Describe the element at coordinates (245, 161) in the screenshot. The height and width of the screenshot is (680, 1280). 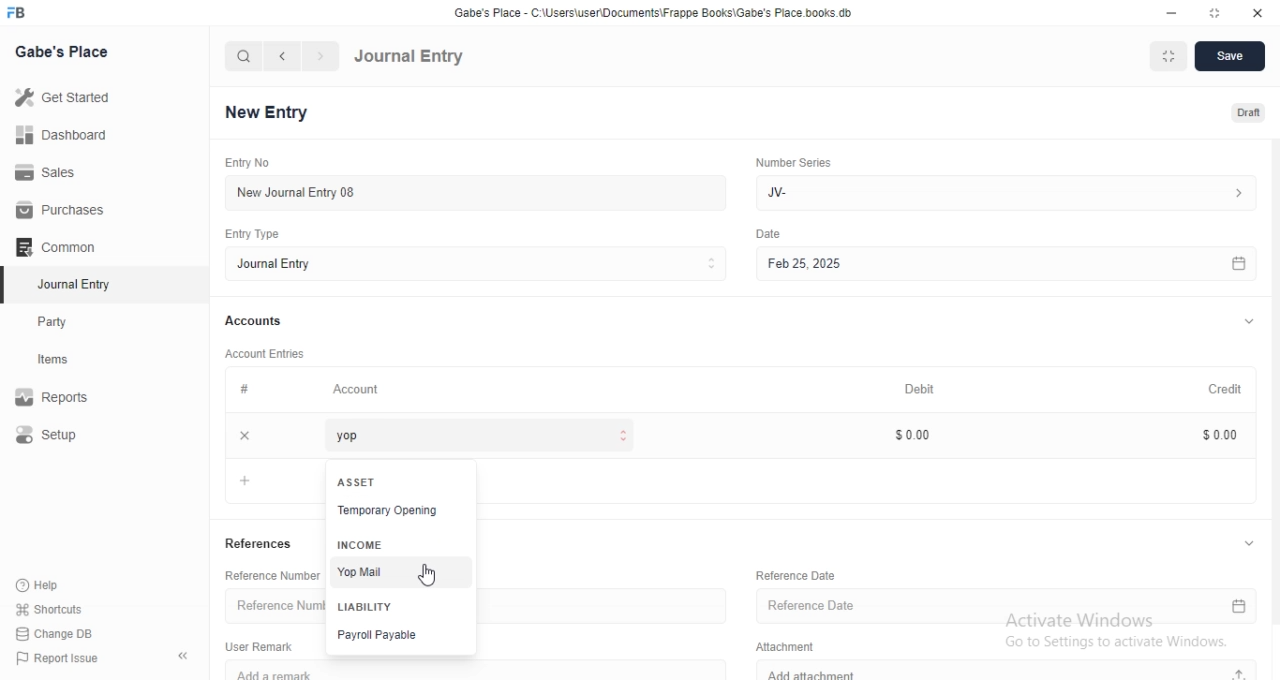
I see `Entry No` at that location.